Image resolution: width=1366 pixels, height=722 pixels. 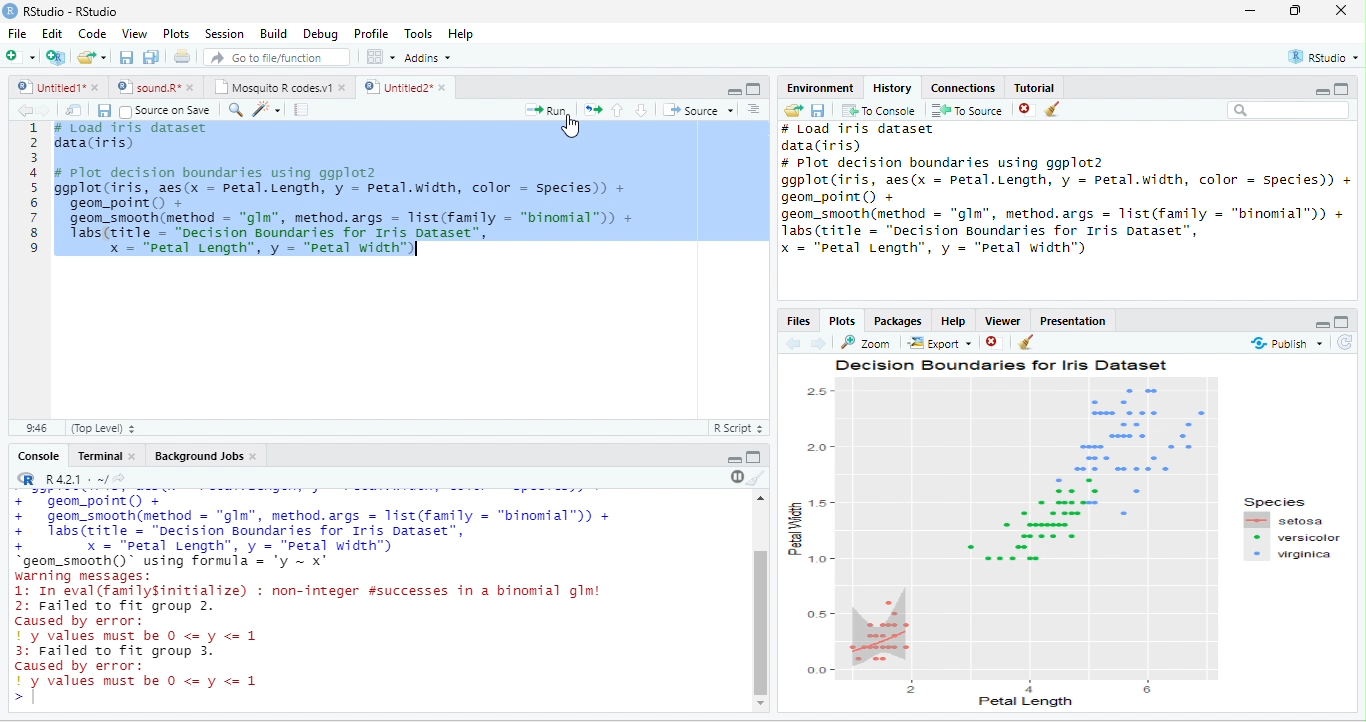 I want to click on Petal length meter, so click(x=1036, y=686).